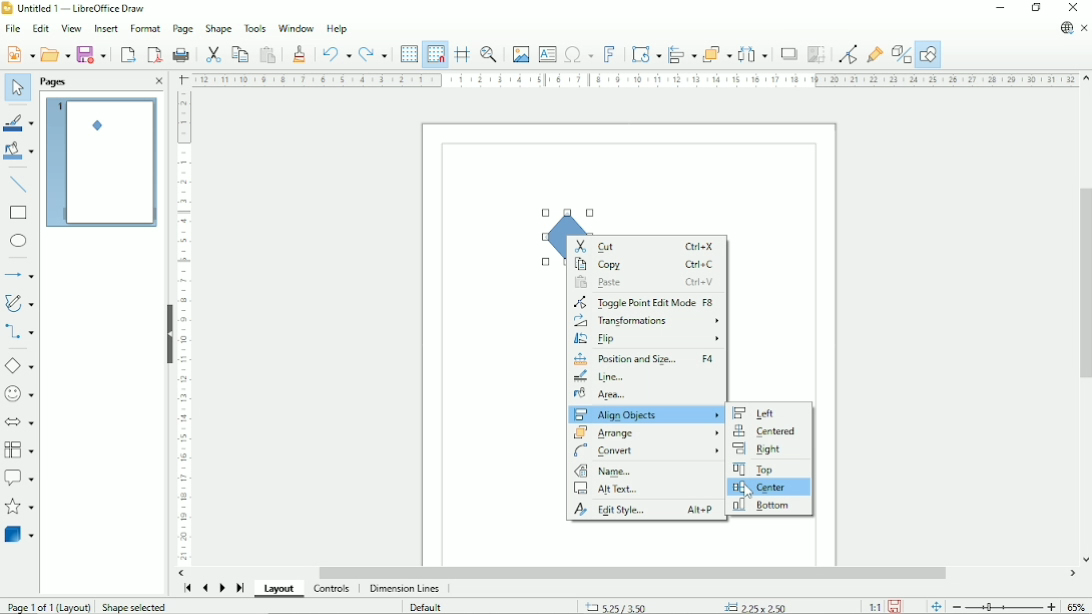 Image resolution: width=1092 pixels, height=614 pixels. I want to click on Close document, so click(1085, 28).